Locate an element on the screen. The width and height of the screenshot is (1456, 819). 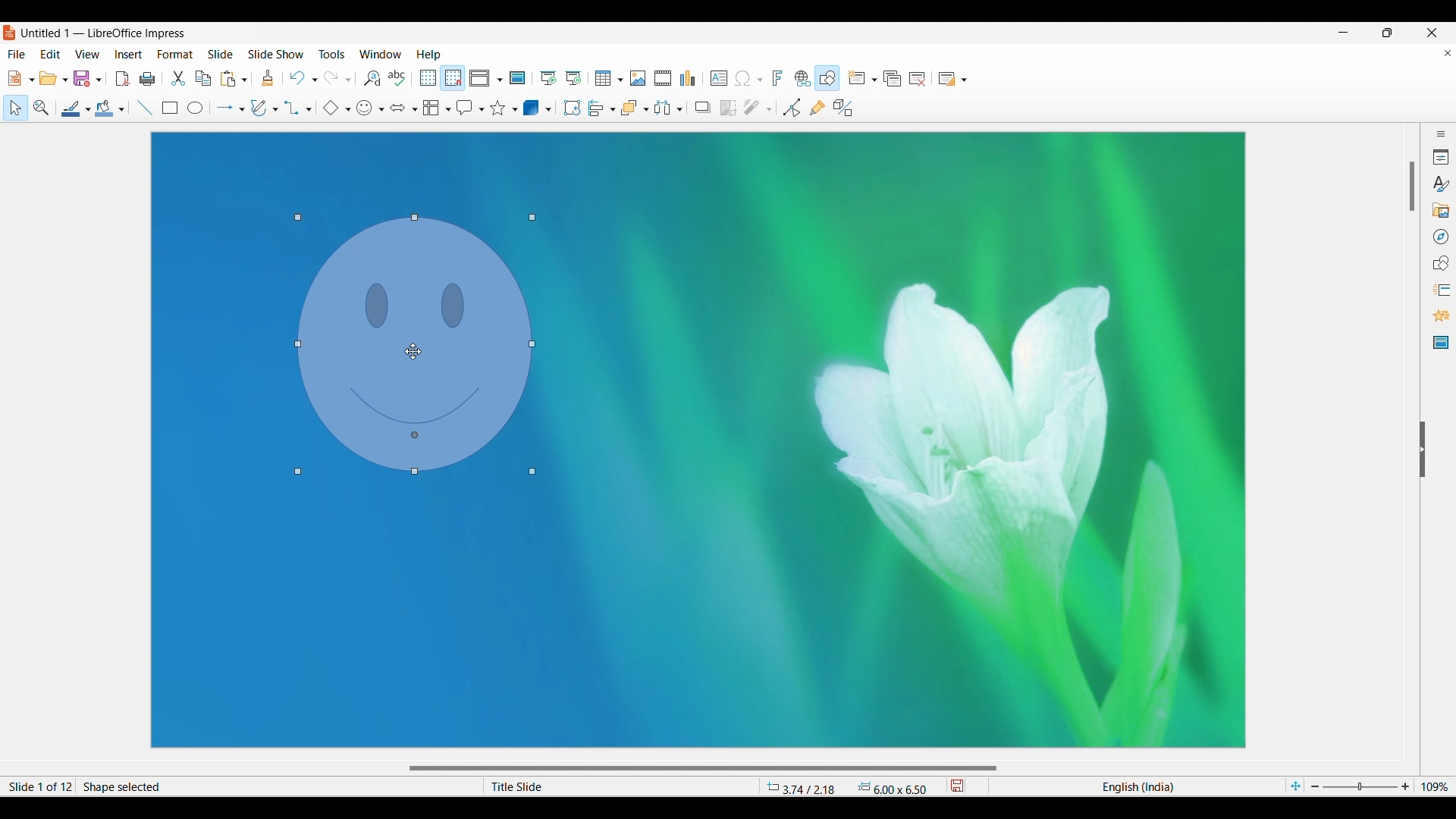
Snap to grid is located at coordinates (453, 79).